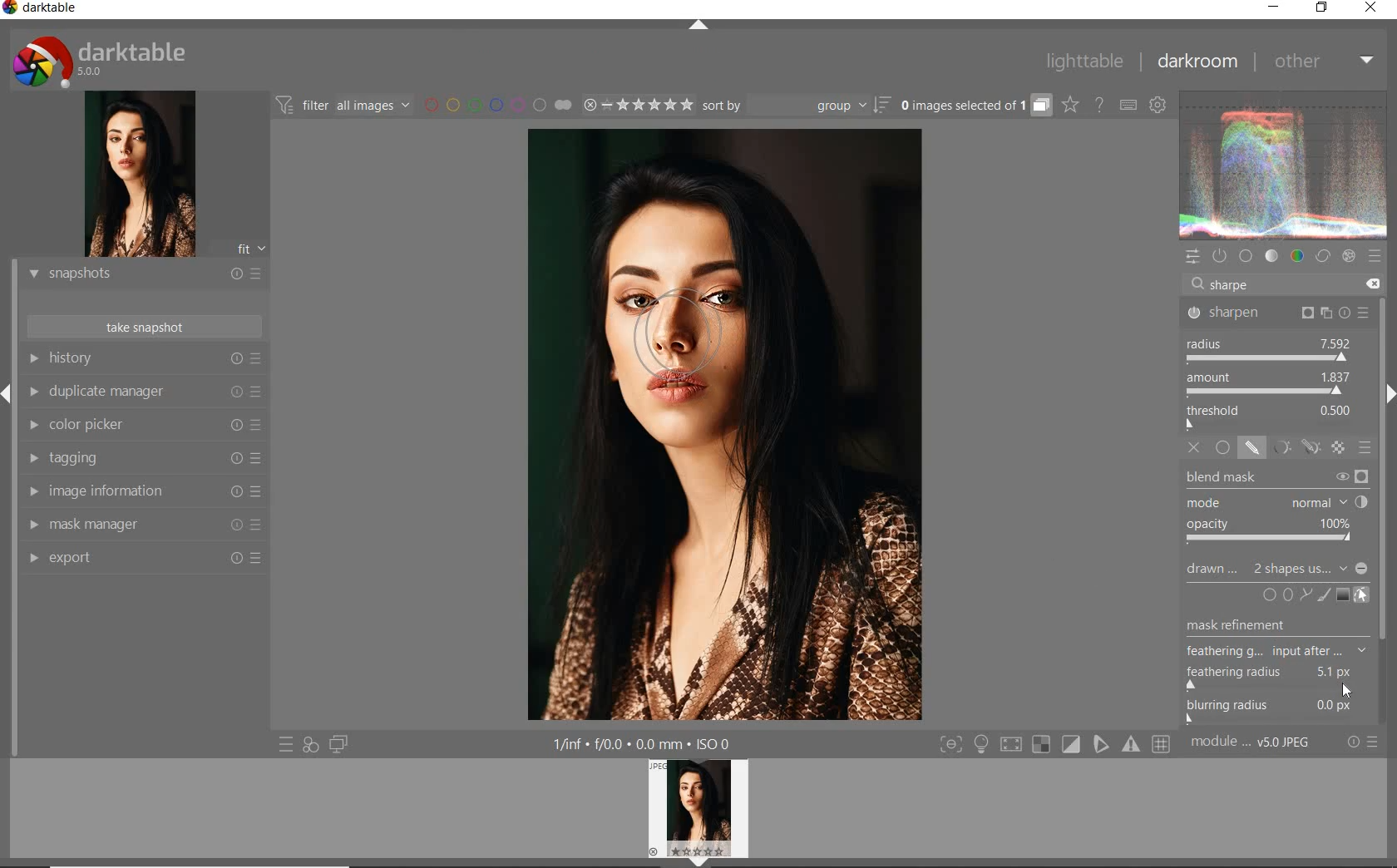 This screenshot has width=1397, height=868. What do you see at coordinates (1276, 476) in the screenshot?
I see `BLEND MASK` at bounding box center [1276, 476].